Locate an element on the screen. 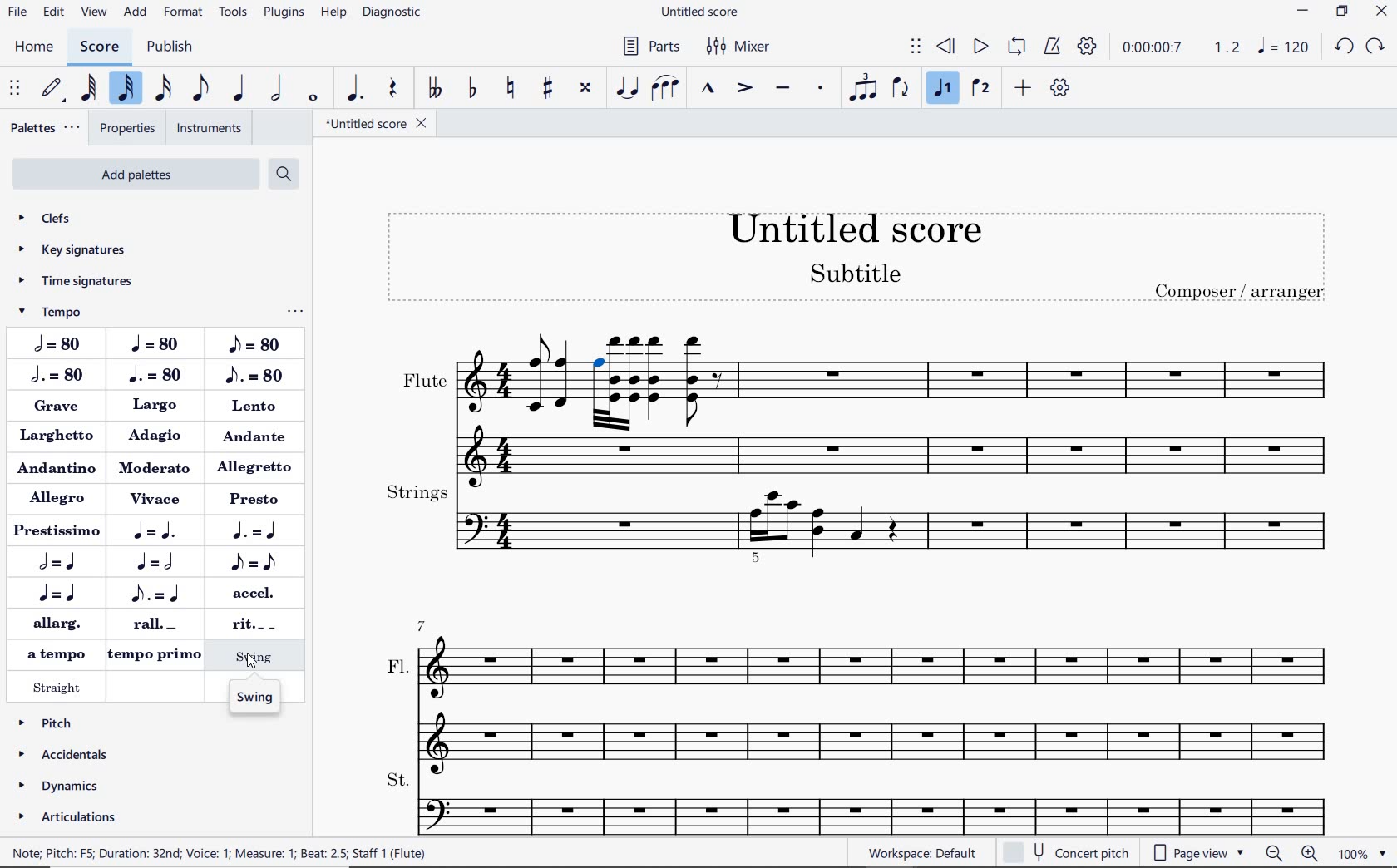  title is located at coordinates (861, 254).